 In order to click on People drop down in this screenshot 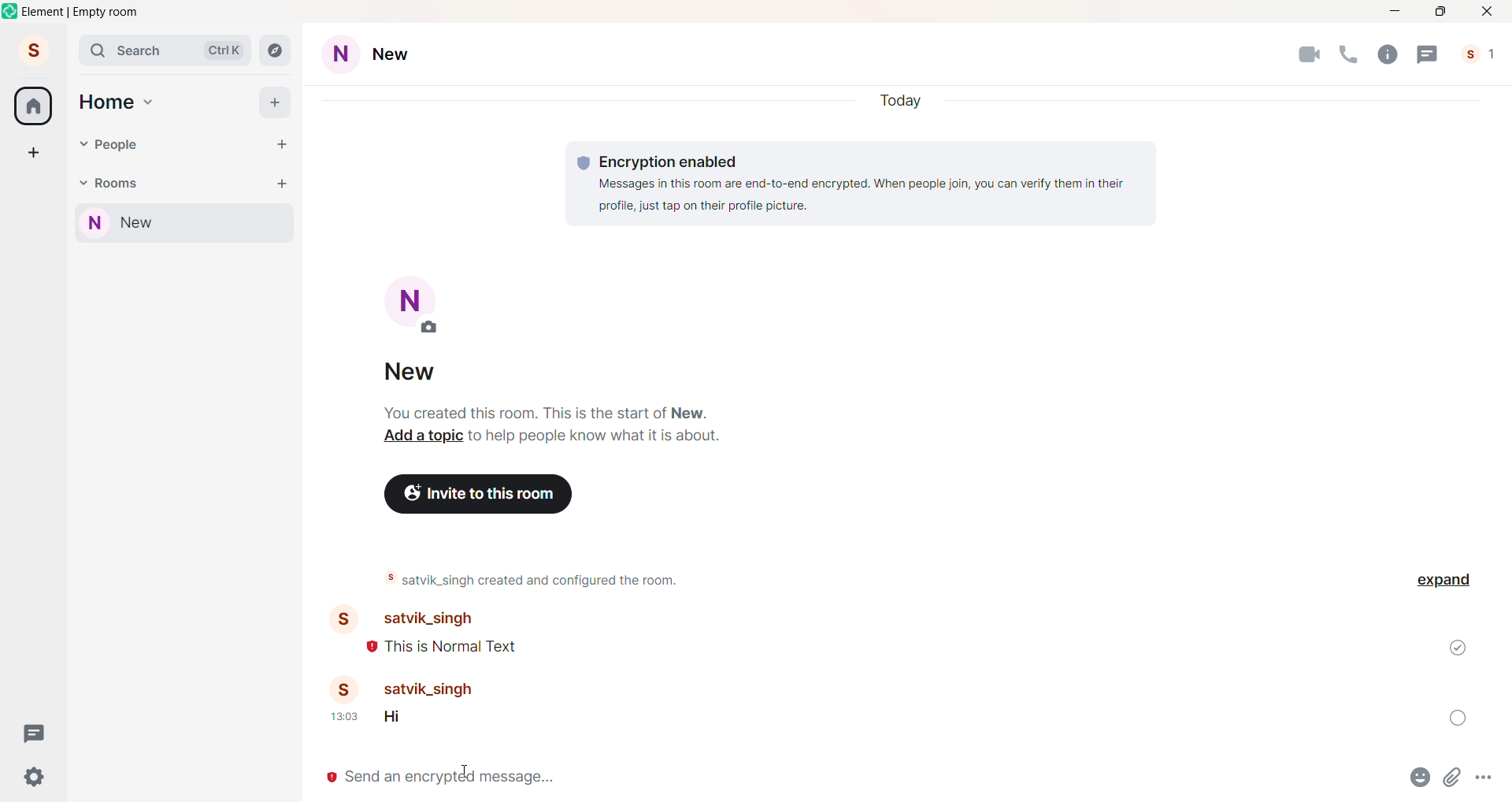, I will do `click(83, 144)`.